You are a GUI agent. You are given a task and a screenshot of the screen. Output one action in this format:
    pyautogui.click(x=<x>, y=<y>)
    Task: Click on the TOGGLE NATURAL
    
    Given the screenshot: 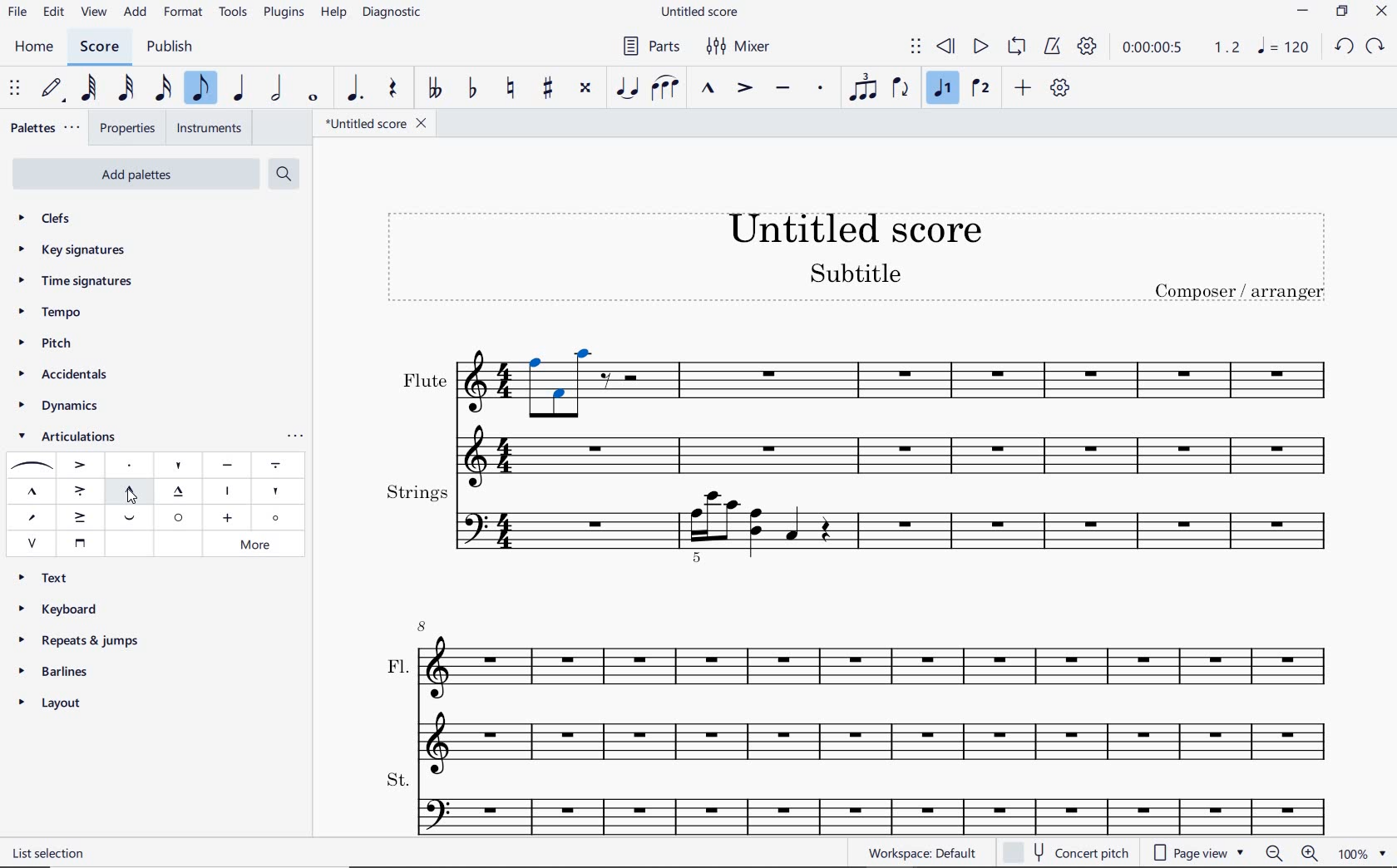 What is the action you would take?
    pyautogui.click(x=511, y=89)
    